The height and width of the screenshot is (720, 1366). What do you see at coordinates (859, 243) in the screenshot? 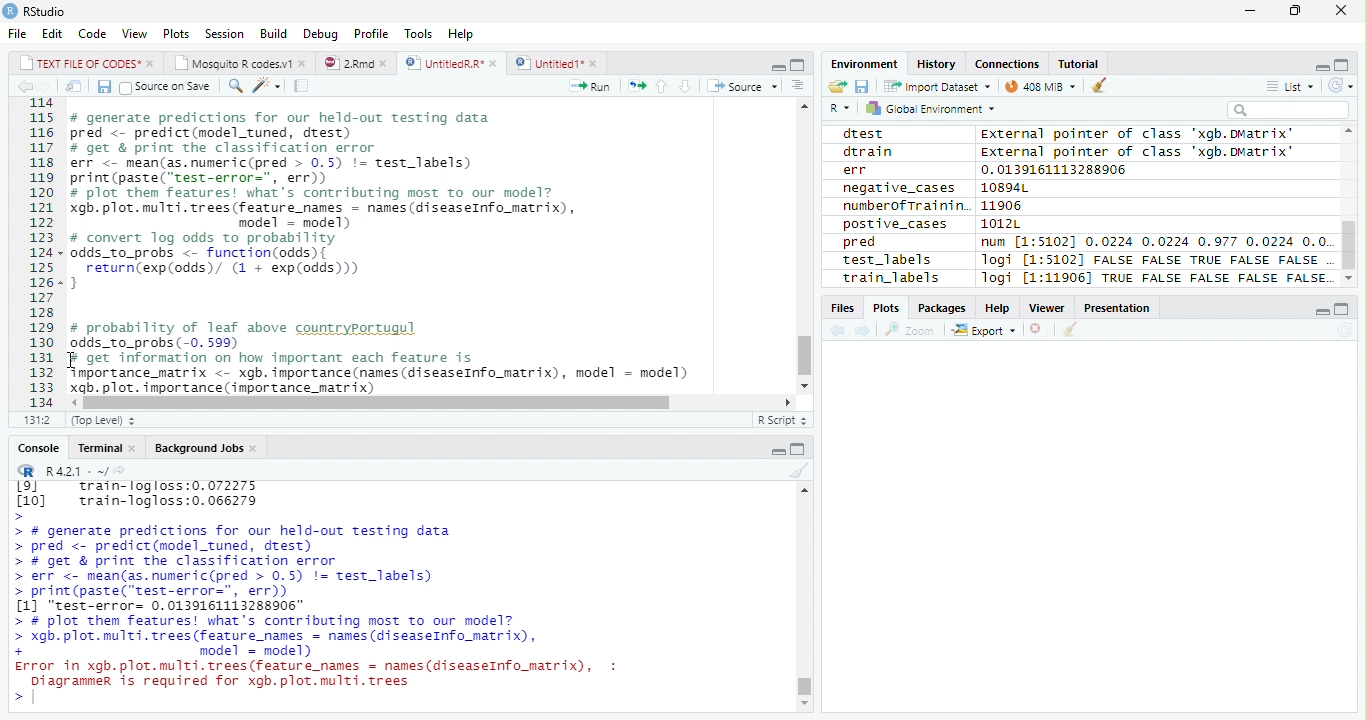
I see `pred` at bounding box center [859, 243].